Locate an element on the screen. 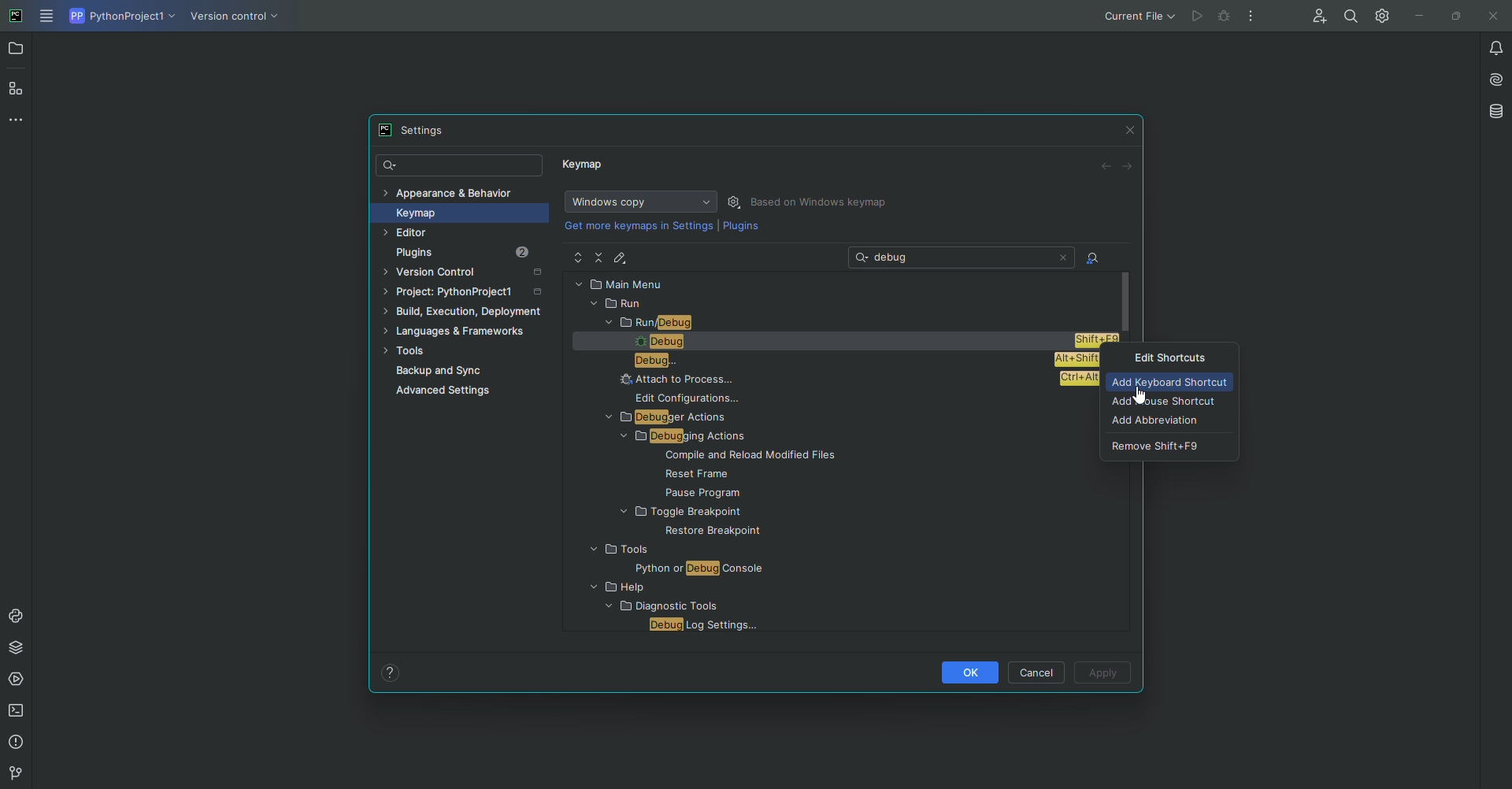  FOLDER NAME is located at coordinates (727, 513).